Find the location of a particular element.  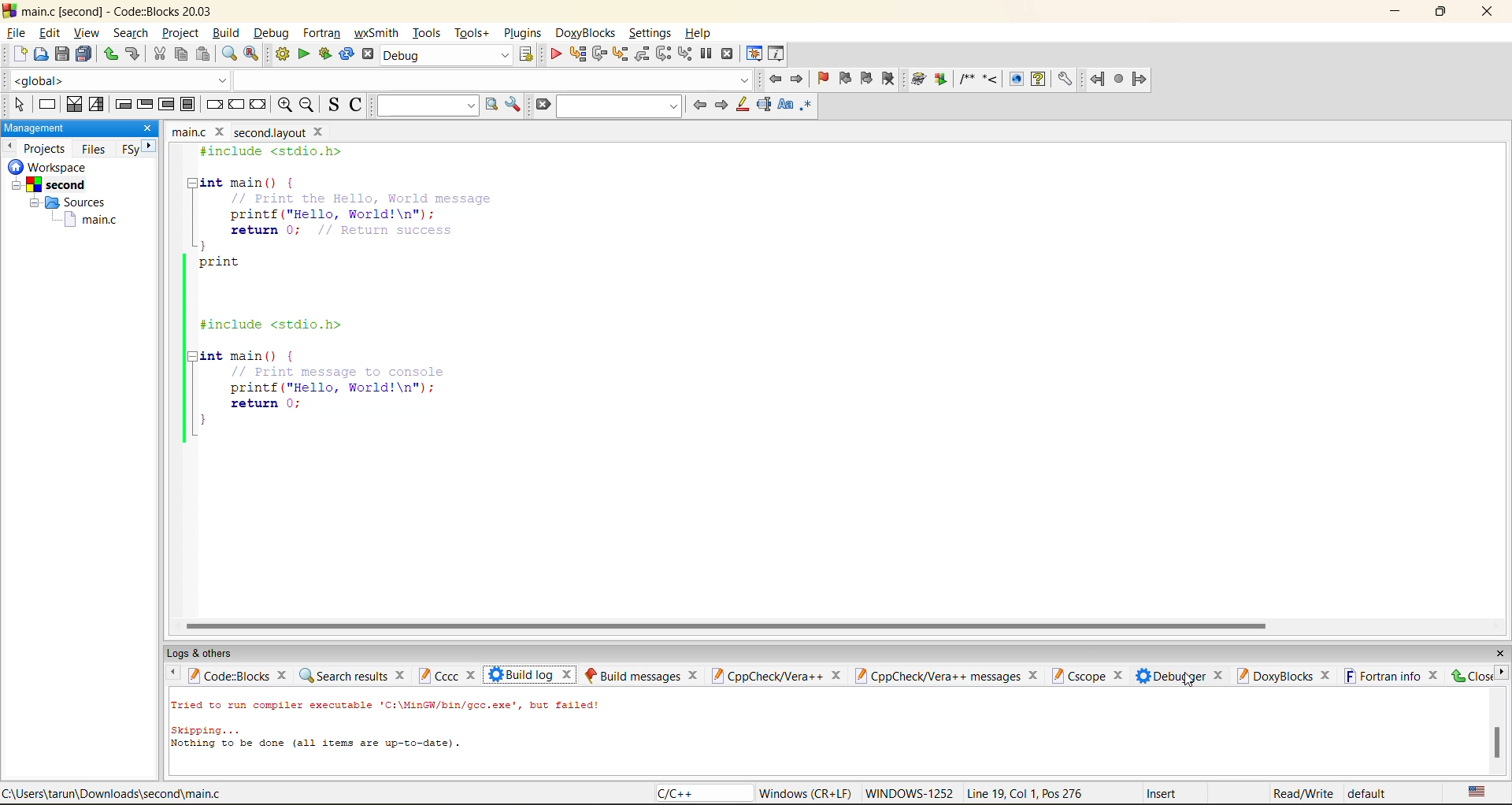

run to cursor is located at coordinates (576, 53).